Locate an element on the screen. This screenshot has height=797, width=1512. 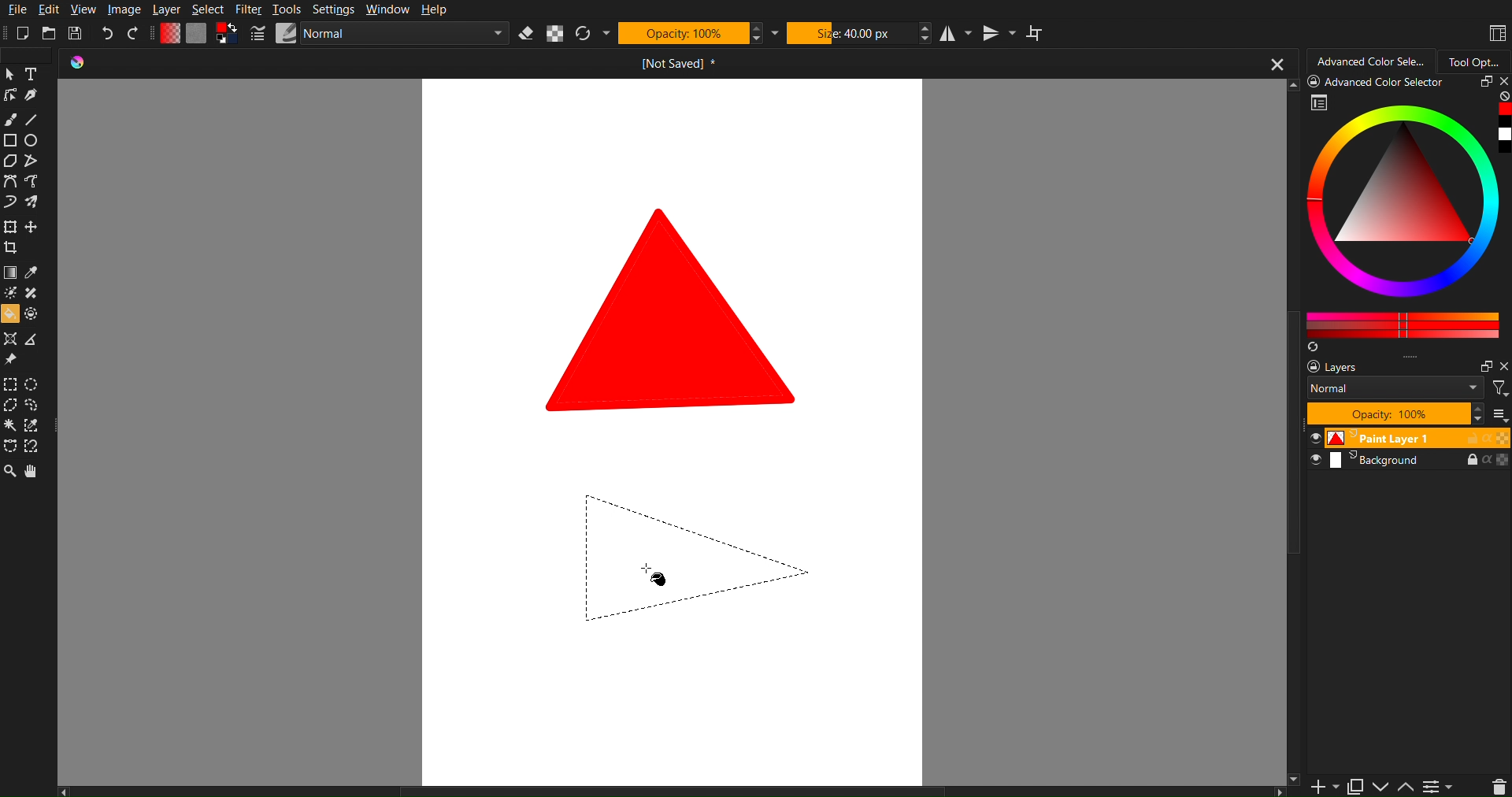
Brightness is located at coordinates (9, 293).